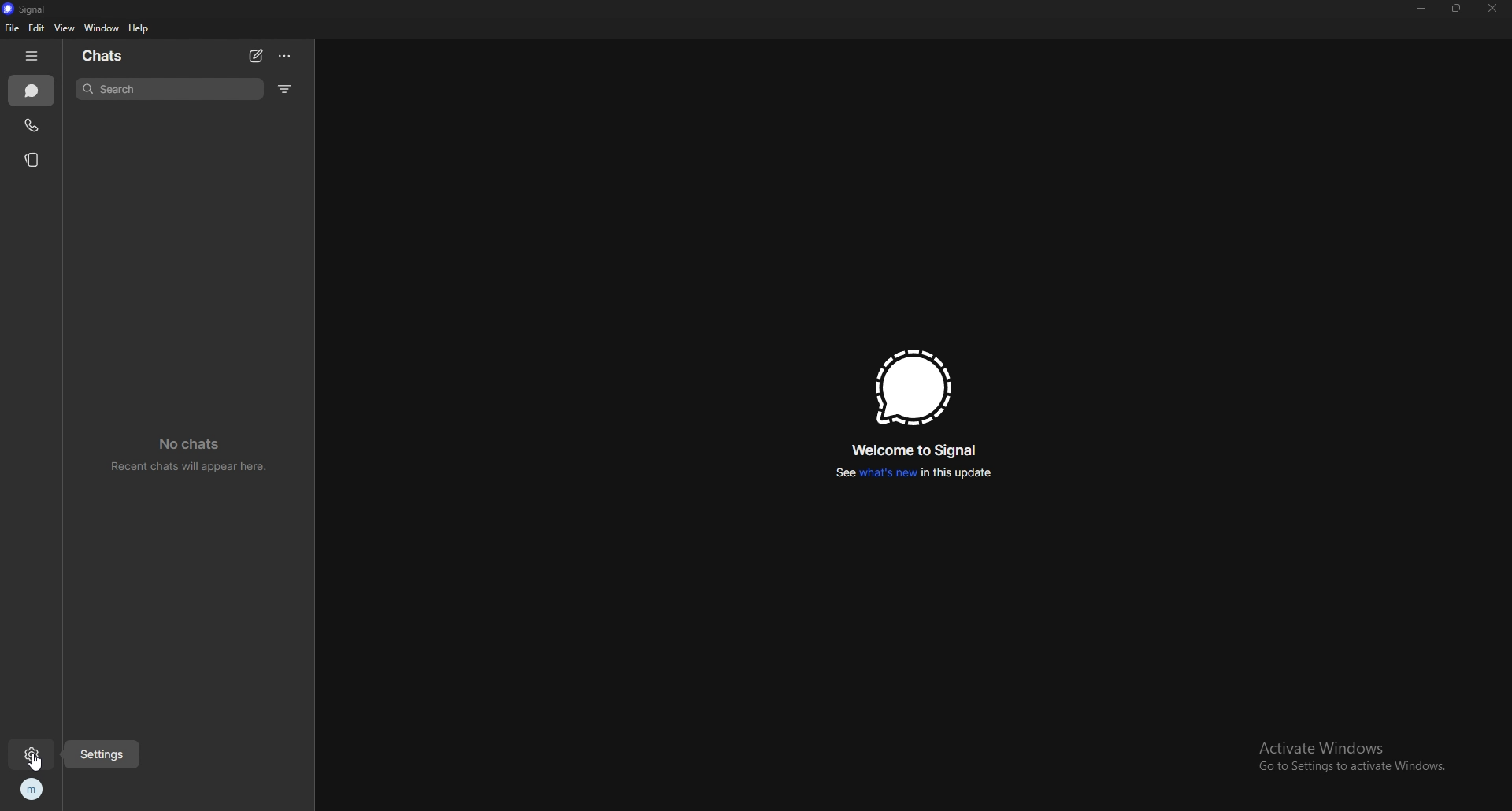  Describe the element at coordinates (187, 454) in the screenshot. I see `no chats recent chats will sppear here` at that location.